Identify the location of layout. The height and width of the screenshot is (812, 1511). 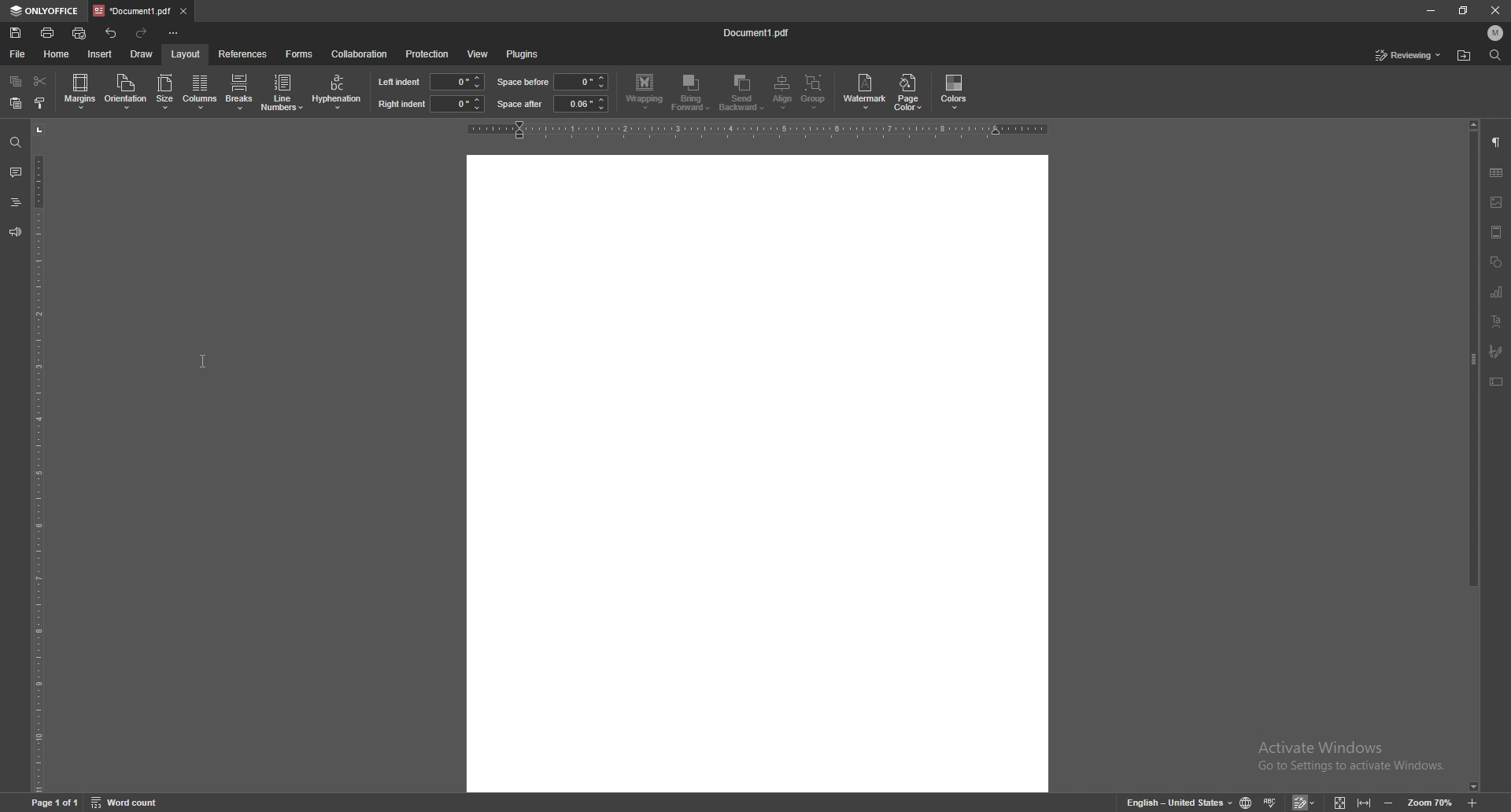
(185, 54).